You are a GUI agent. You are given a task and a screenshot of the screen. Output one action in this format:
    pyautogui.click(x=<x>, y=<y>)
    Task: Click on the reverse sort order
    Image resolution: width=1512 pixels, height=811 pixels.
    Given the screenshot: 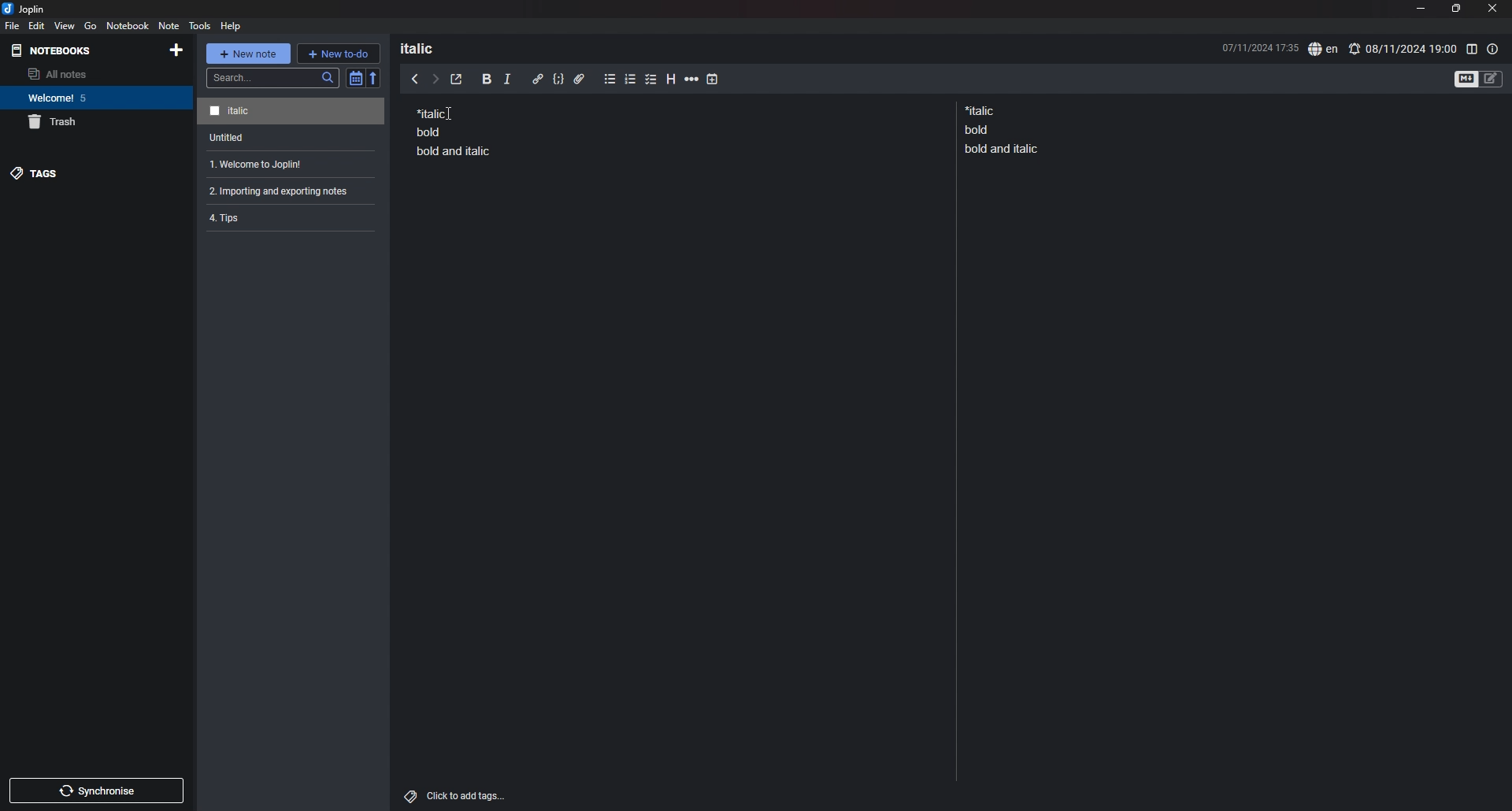 What is the action you would take?
    pyautogui.click(x=374, y=77)
    